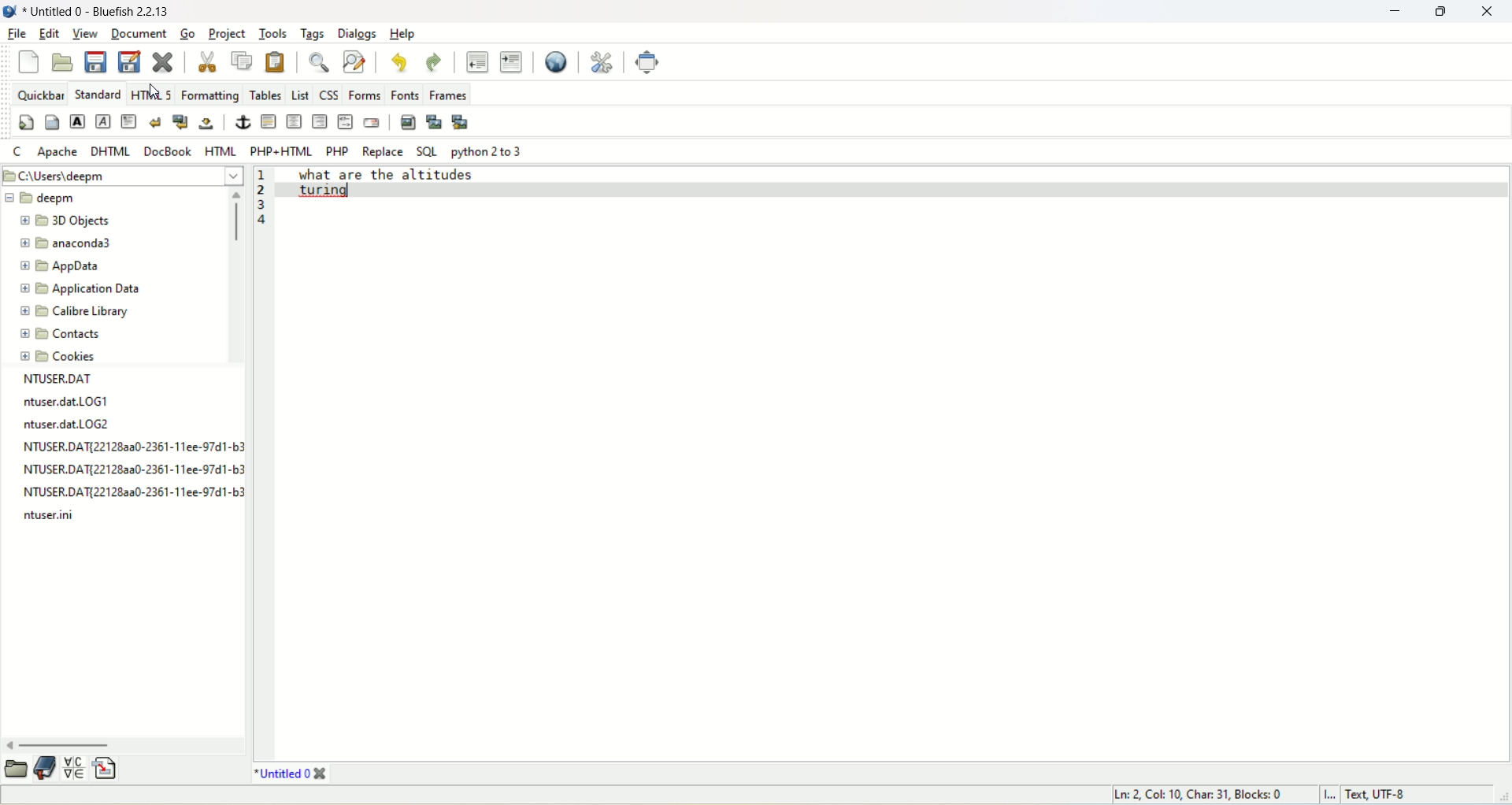 The height and width of the screenshot is (805, 1512). I want to click on cut, so click(209, 61).